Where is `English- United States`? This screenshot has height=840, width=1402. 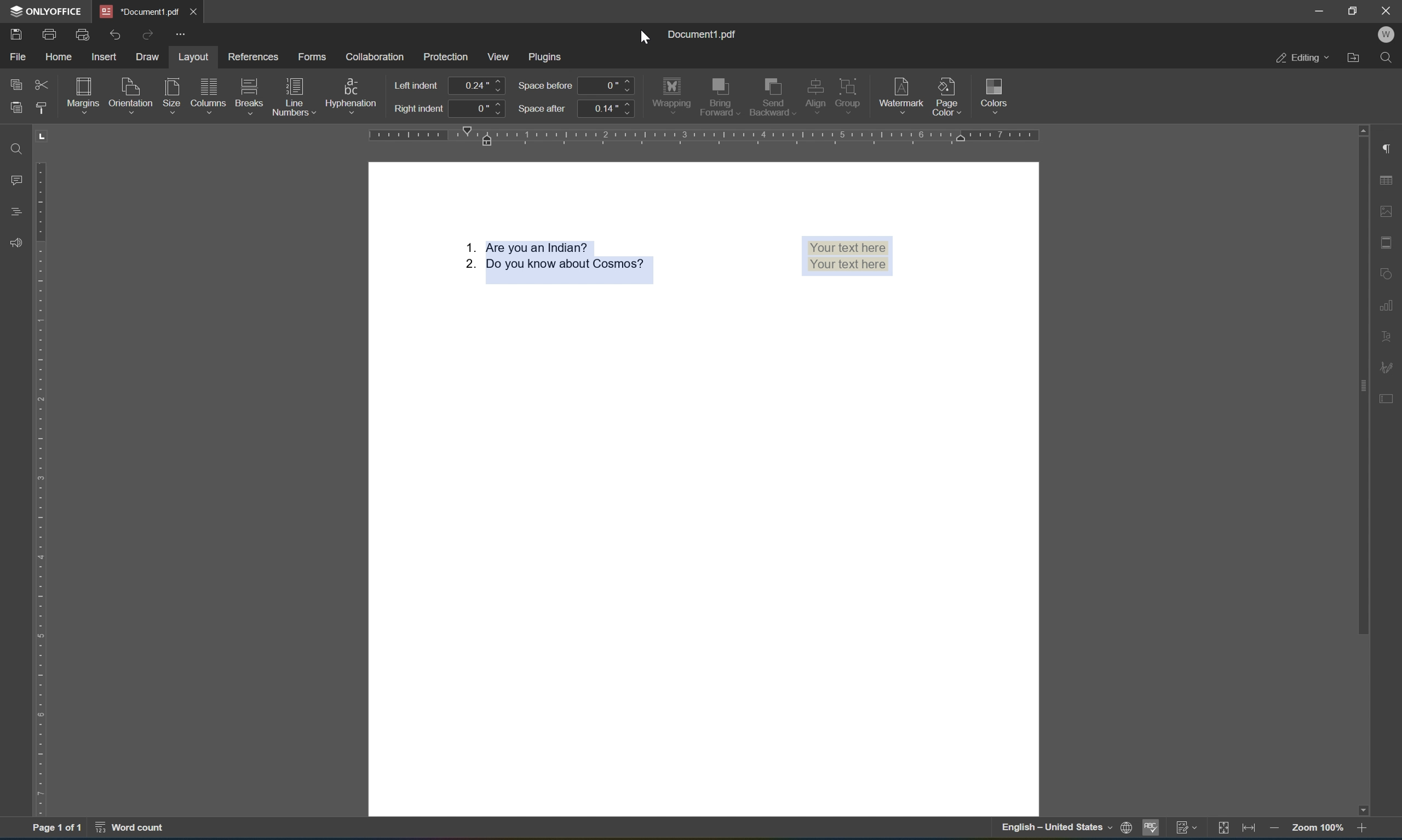
English- United States is located at coordinates (1064, 829).